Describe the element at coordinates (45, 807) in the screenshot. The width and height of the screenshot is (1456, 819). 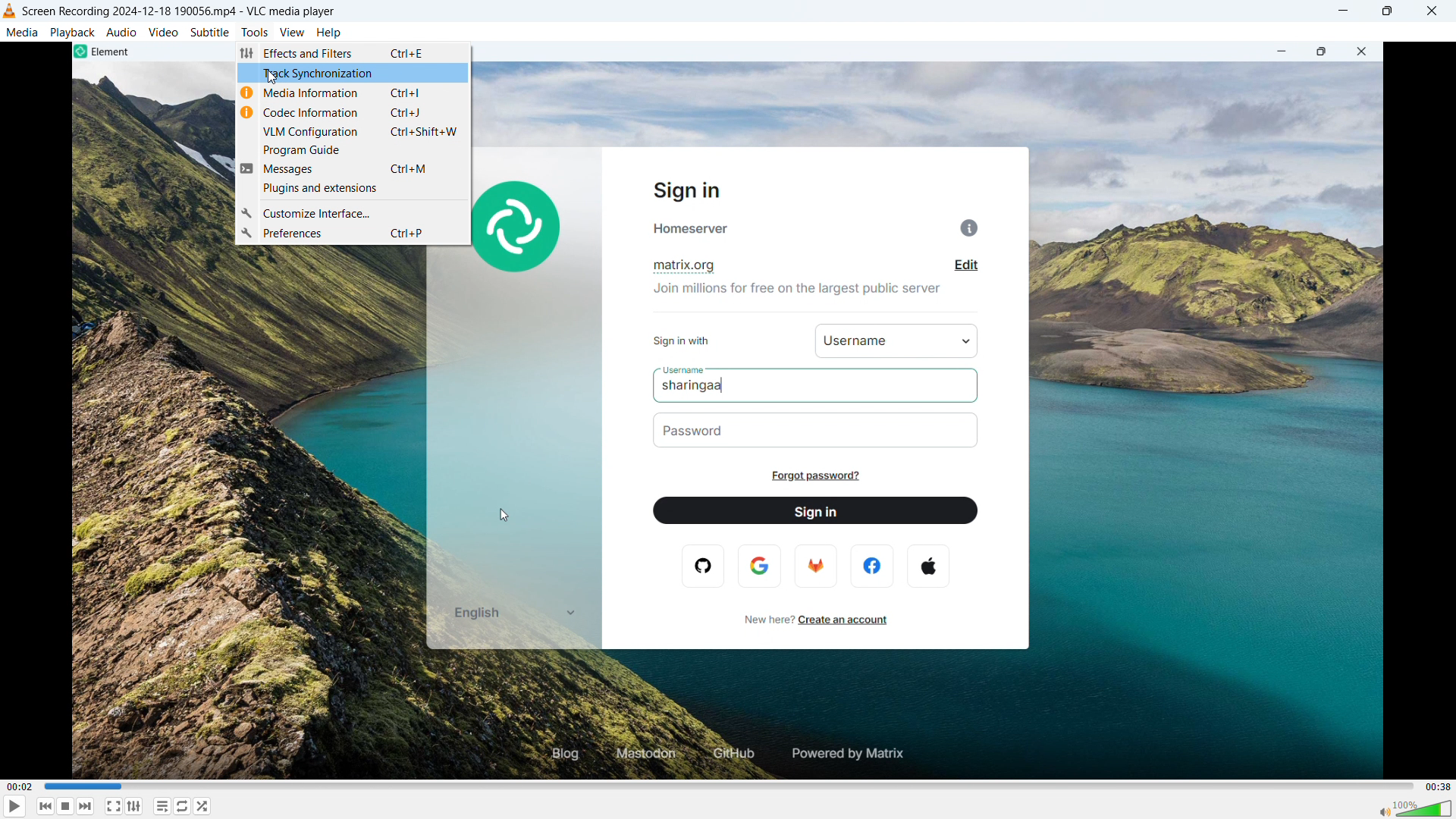
I see `backward or previous media` at that location.